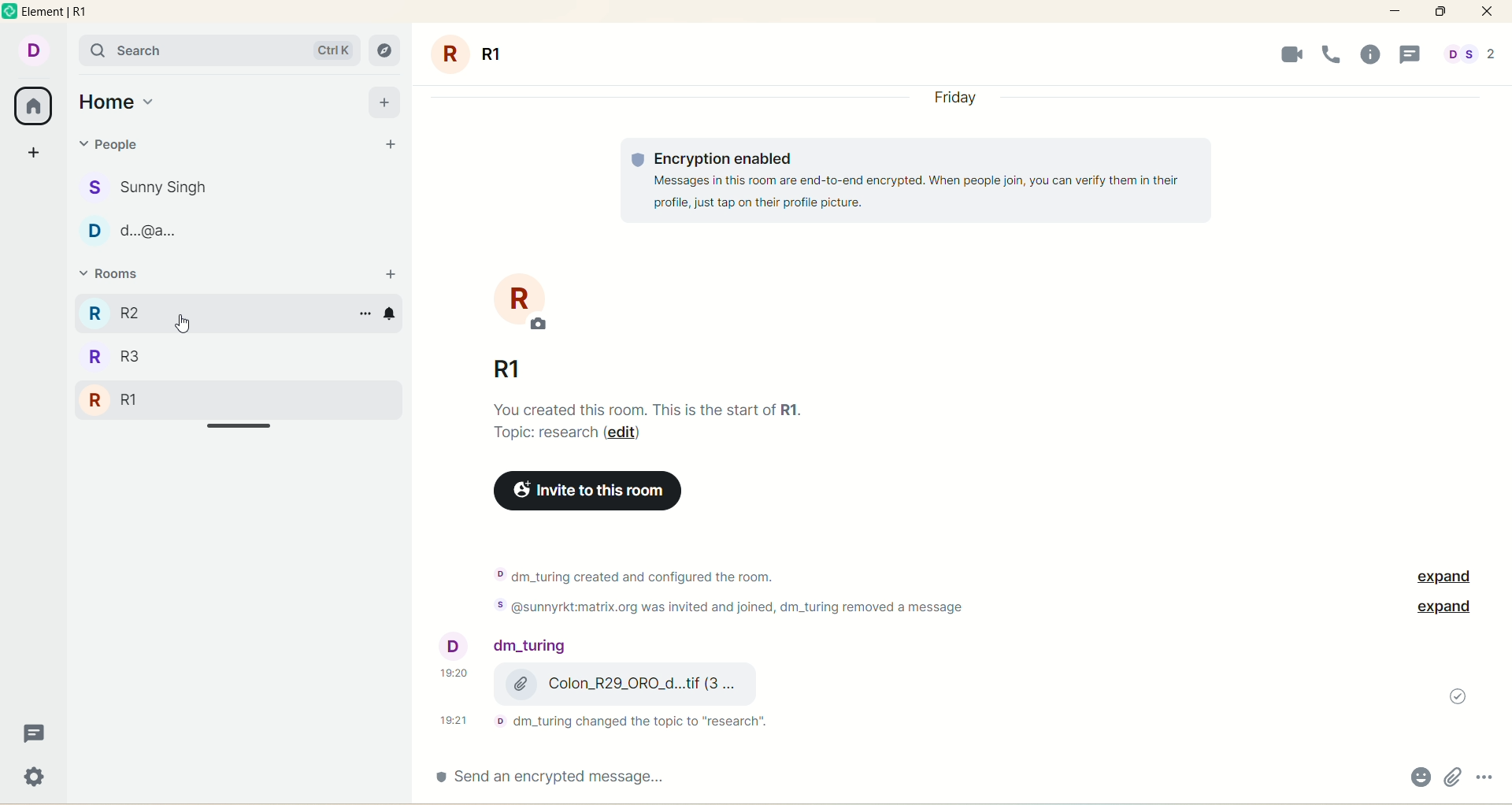 This screenshot has width=1512, height=805. Describe the element at coordinates (390, 274) in the screenshot. I see `add` at that location.